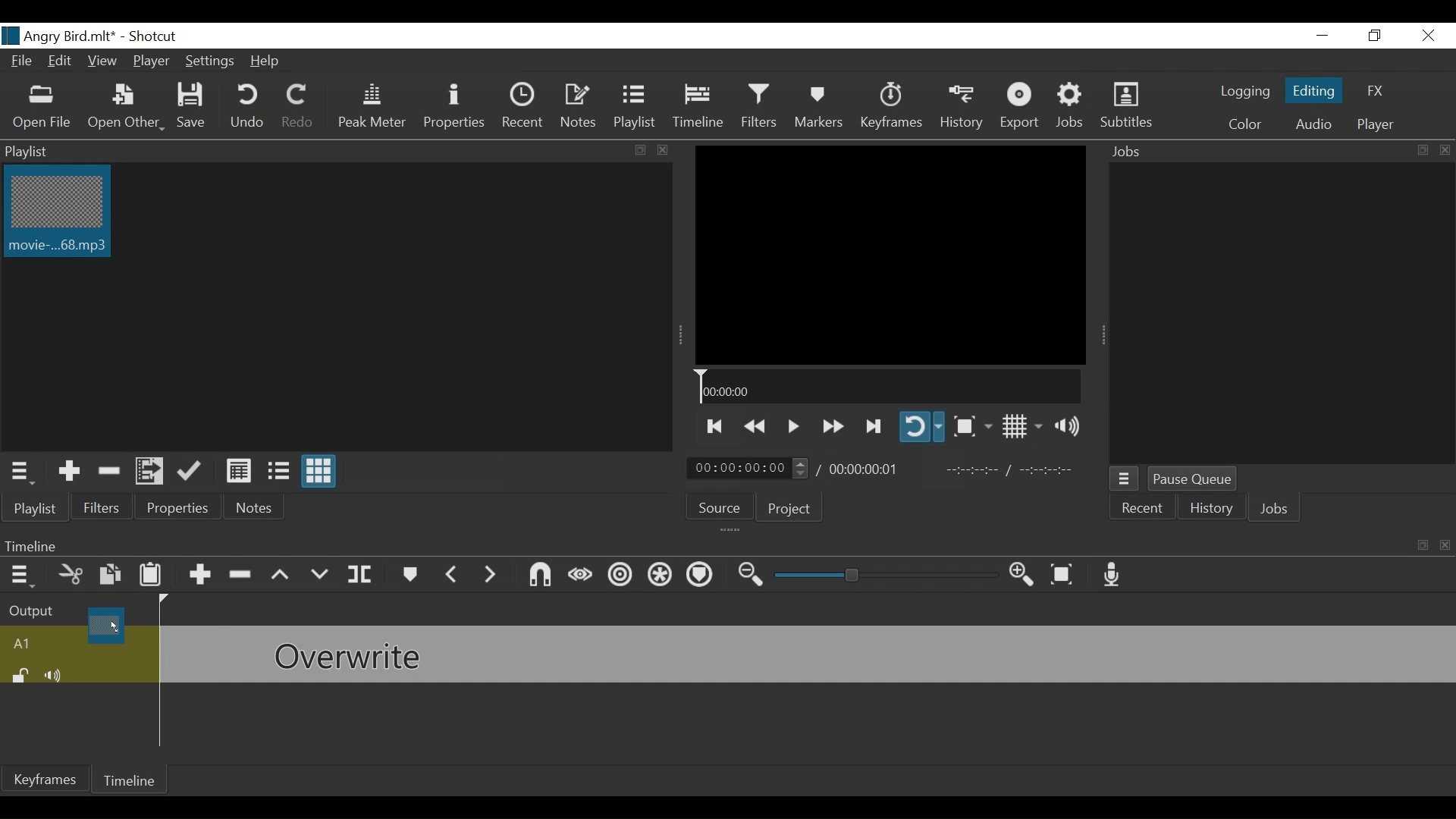  Describe the element at coordinates (1429, 36) in the screenshot. I see `Close` at that location.